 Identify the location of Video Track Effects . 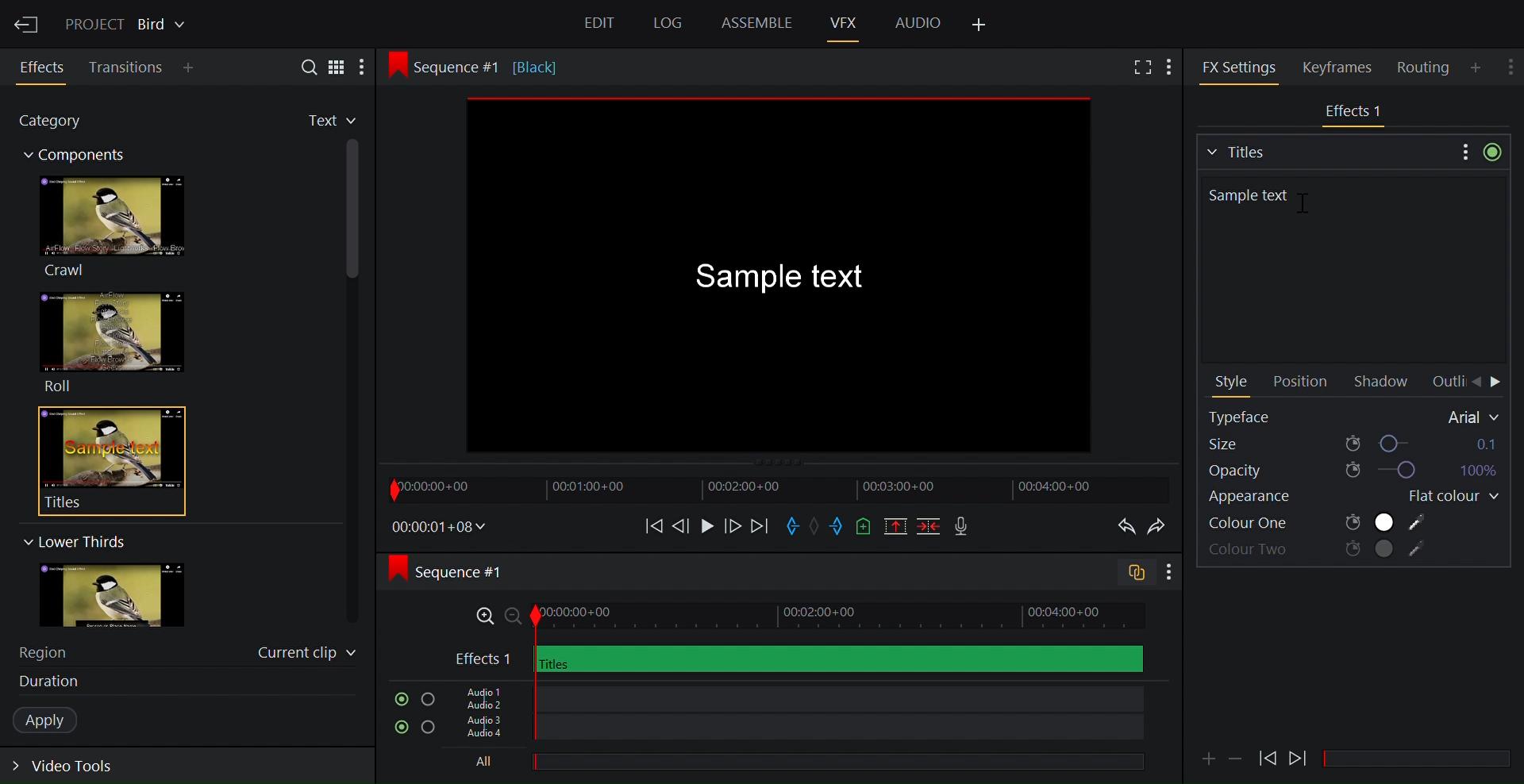
(1355, 113).